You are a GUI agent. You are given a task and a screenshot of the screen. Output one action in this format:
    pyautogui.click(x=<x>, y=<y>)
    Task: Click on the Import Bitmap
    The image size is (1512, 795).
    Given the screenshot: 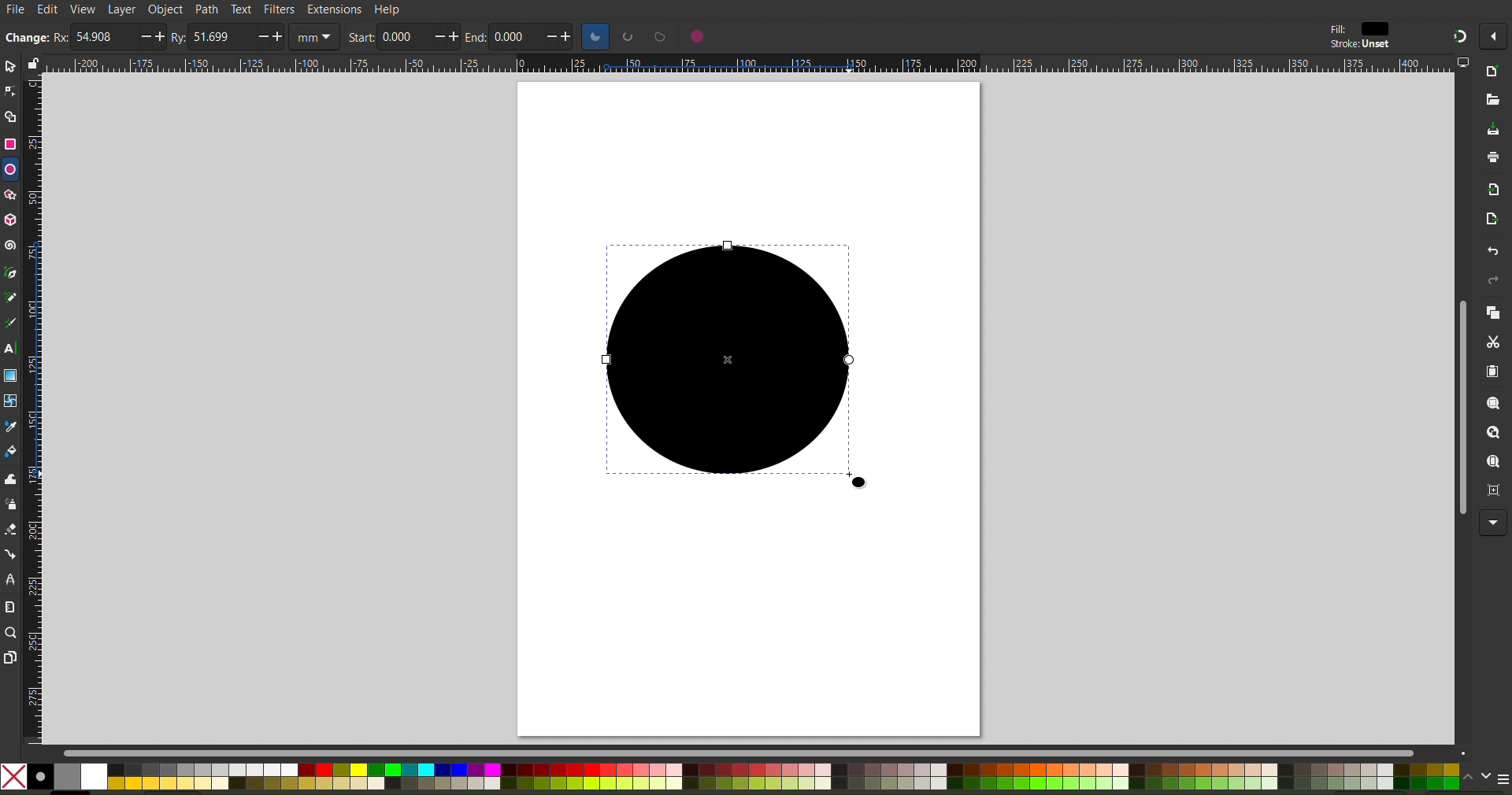 What is the action you would take?
    pyautogui.click(x=1492, y=190)
    